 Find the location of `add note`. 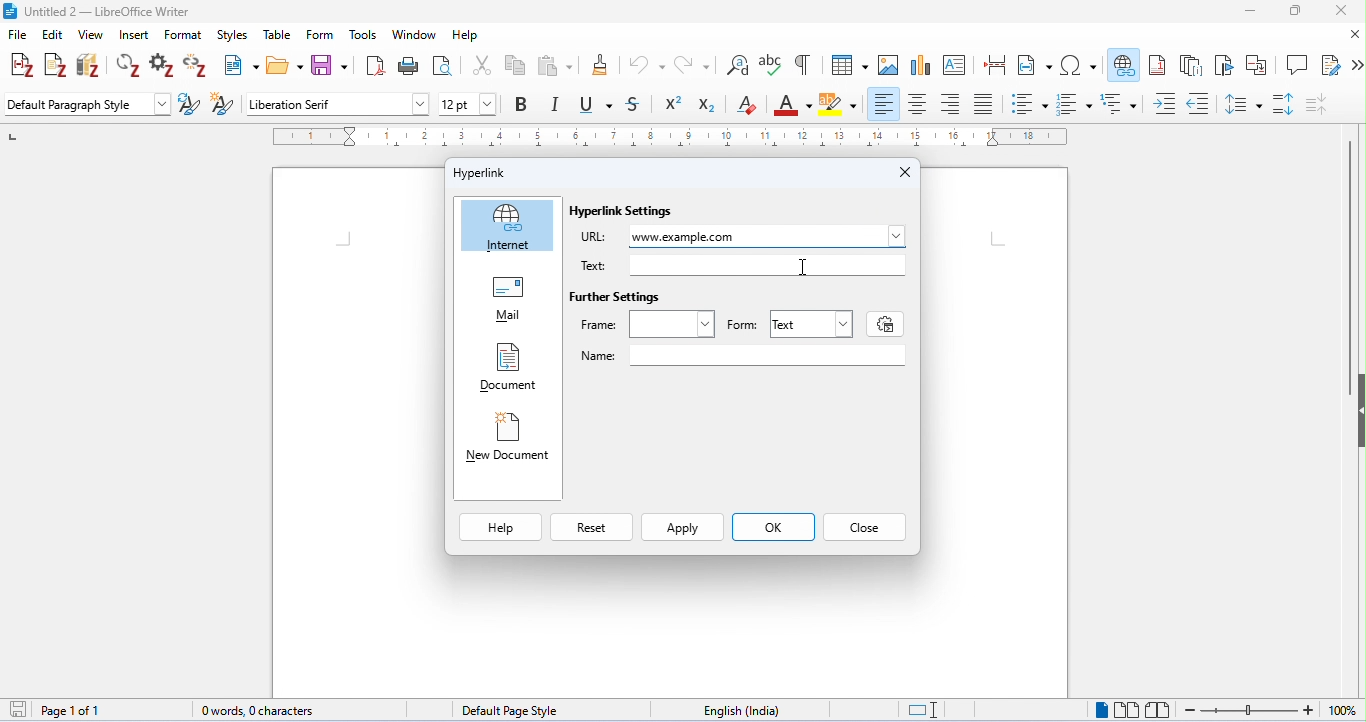

add note is located at coordinates (56, 65).